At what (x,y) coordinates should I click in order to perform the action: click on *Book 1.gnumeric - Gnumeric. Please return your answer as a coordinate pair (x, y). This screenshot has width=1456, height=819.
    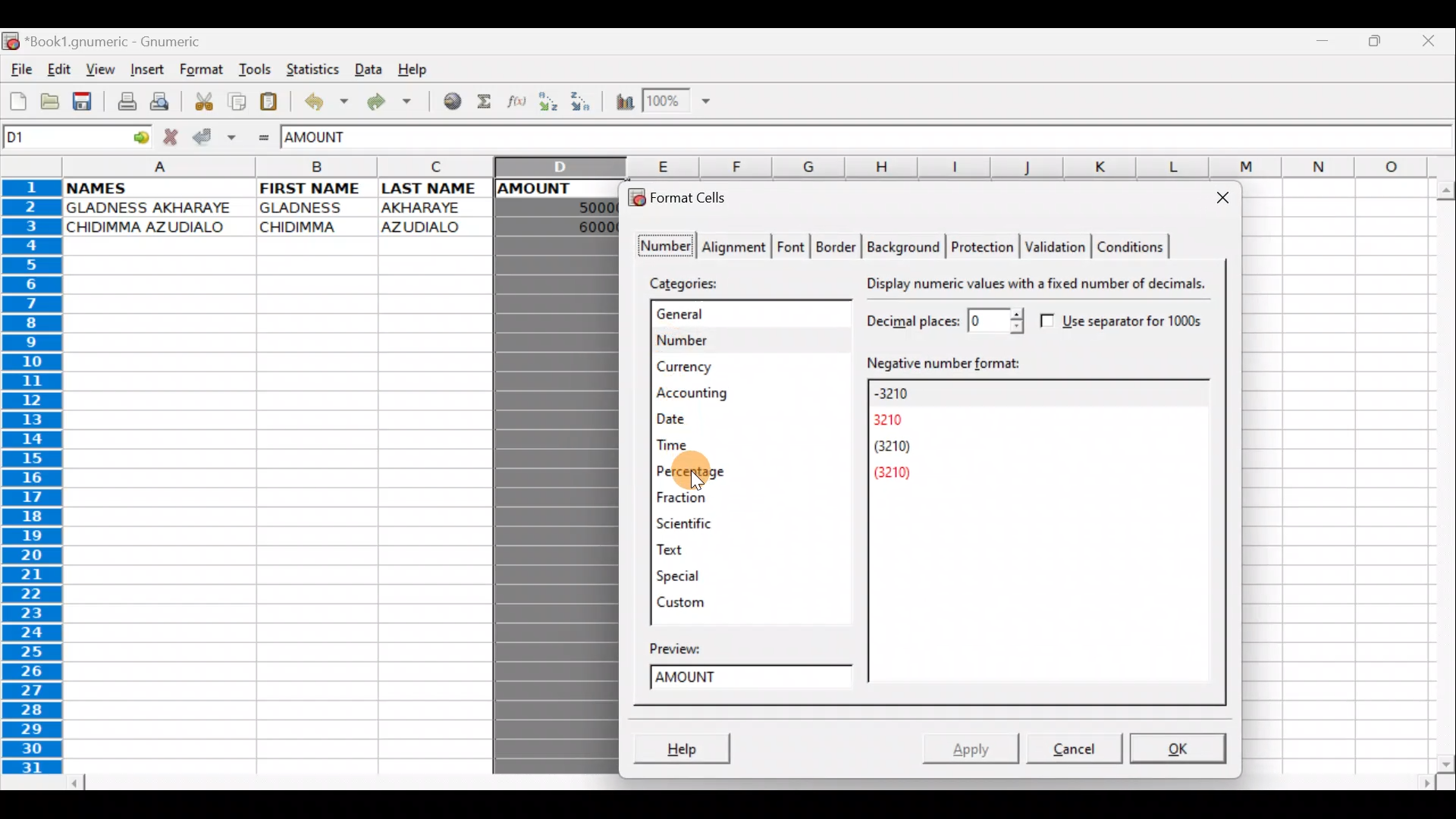
    Looking at the image, I should click on (124, 43).